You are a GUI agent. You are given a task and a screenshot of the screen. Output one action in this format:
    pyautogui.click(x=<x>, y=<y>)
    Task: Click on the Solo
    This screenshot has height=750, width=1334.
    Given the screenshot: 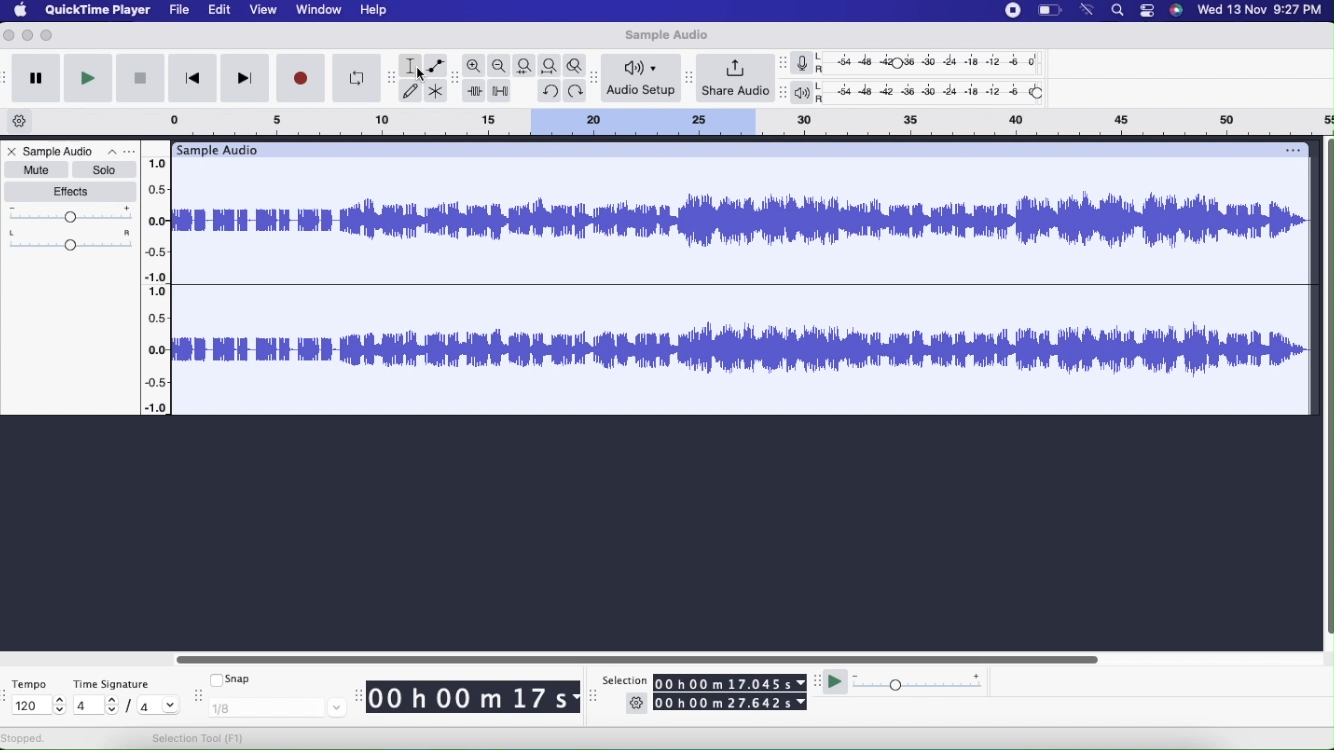 What is the action you would take?
    pyautogui.click(x=104, y=170)
    